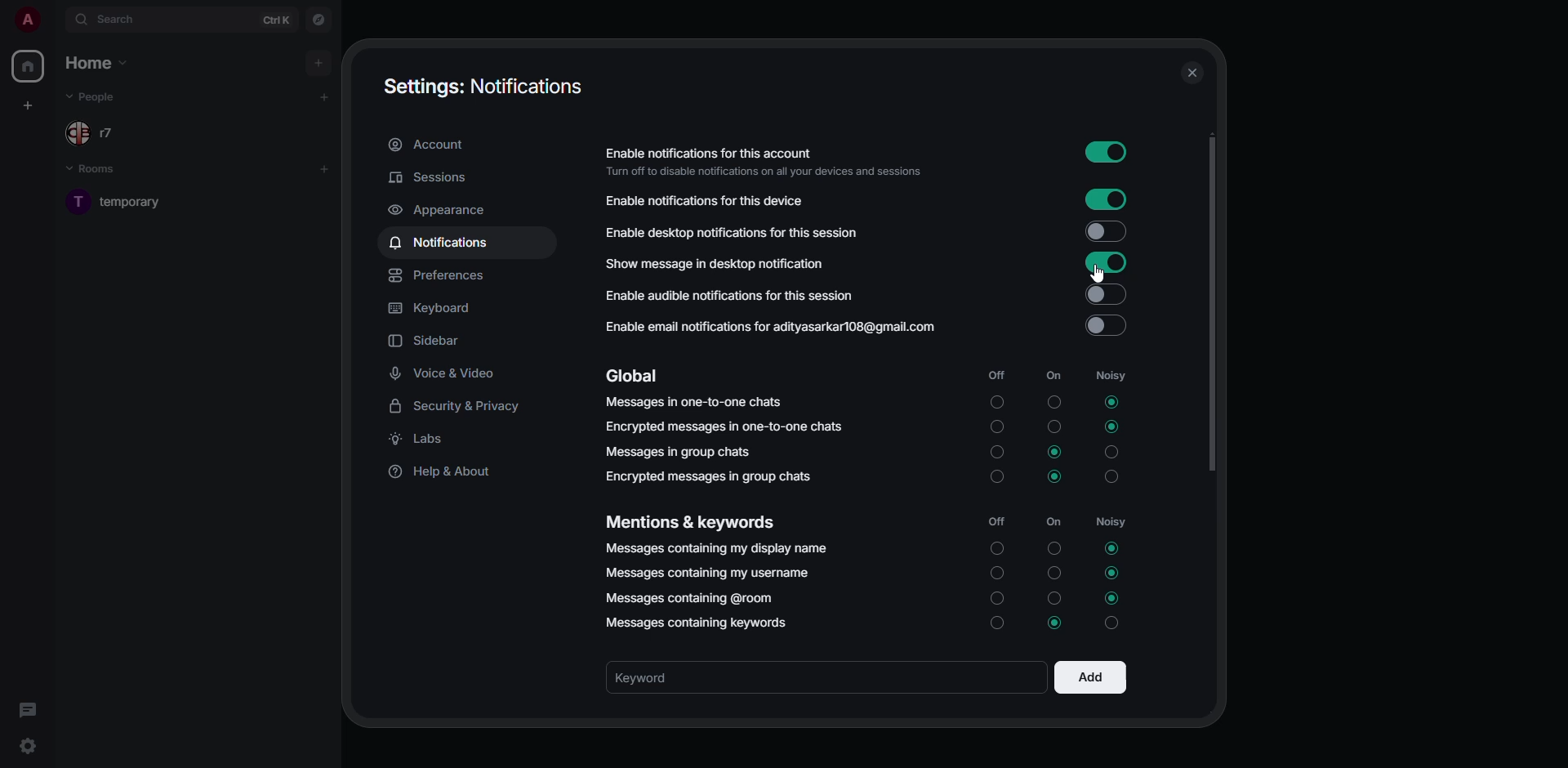  Describe the element at coordinates (121, 20) in the screenshot. I see `search` at that location.